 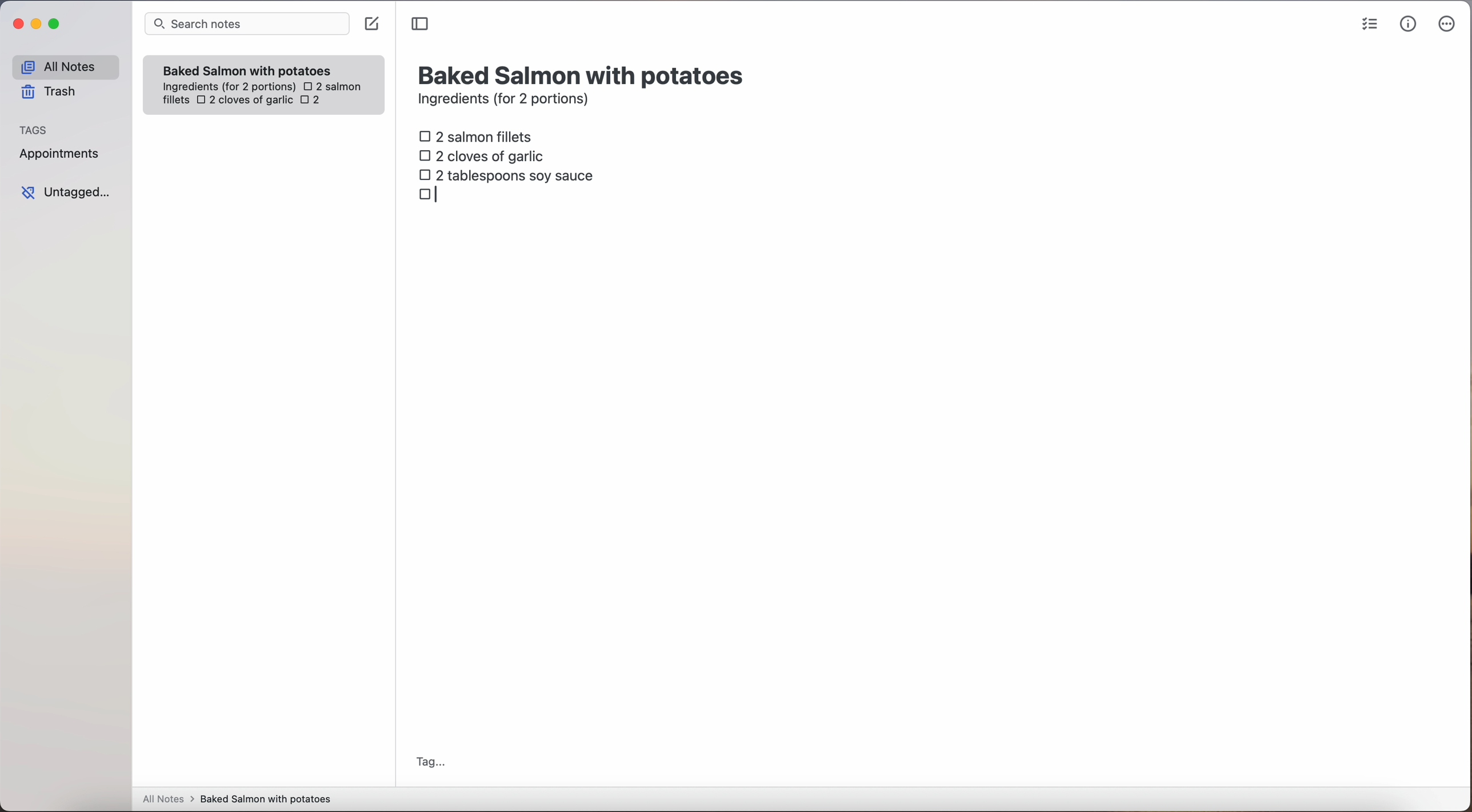 I want to click on search bar, so click(x=246, y=25).